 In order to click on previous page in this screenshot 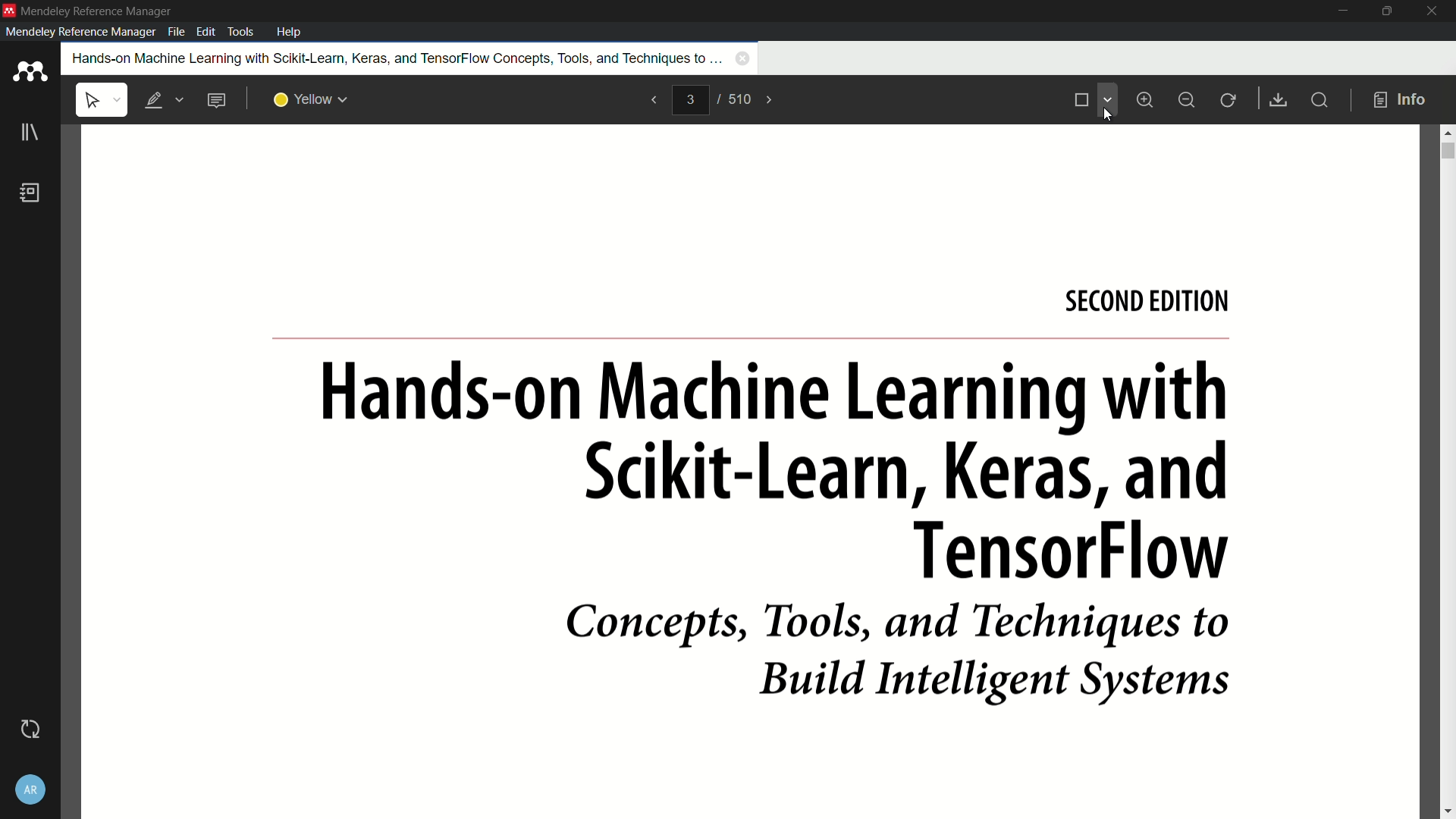, I will do `click(654, 101)`.